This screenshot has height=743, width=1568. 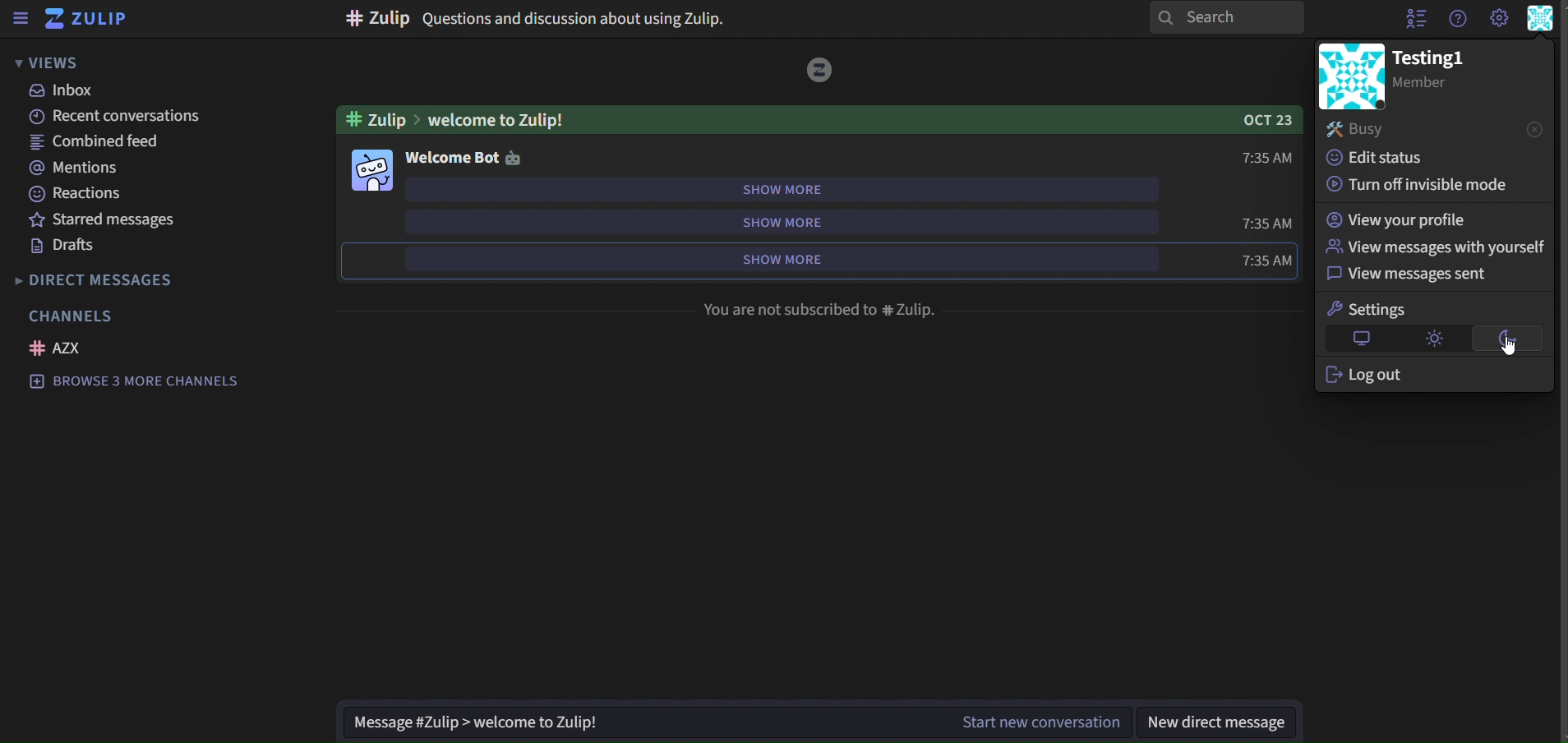 What do you see at coordinates (1459, 21) in the screenshot?
I see `get help` at bounding box center [1459, 21].